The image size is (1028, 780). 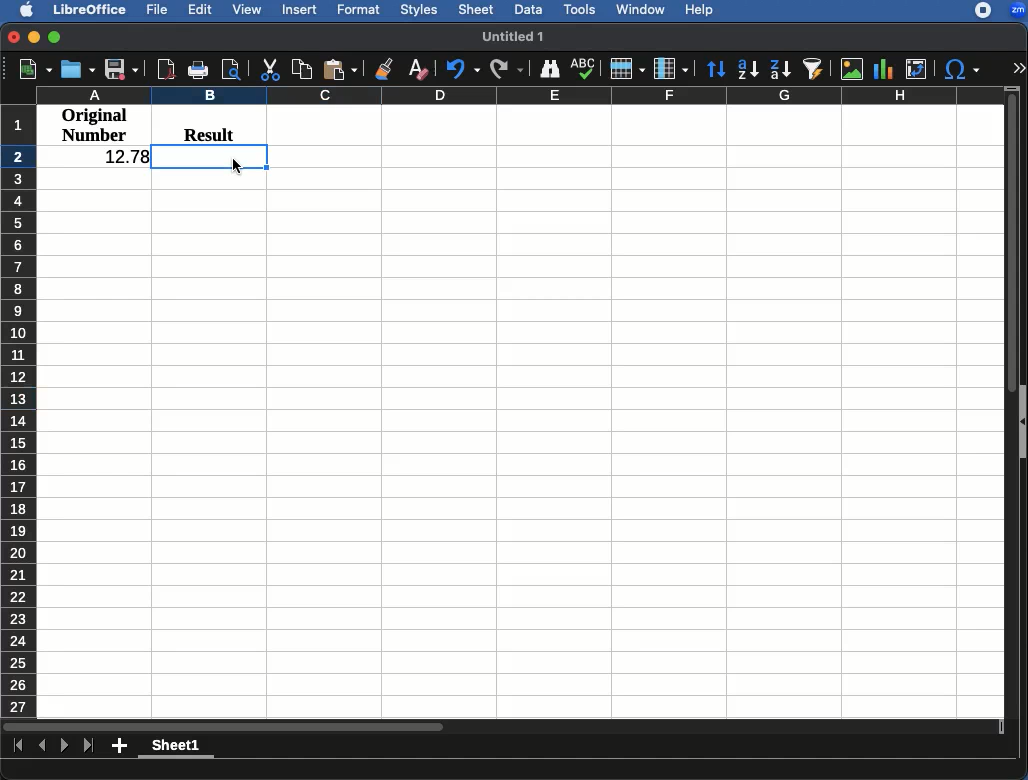 I want to click on Print, so click(x=197, y=71).